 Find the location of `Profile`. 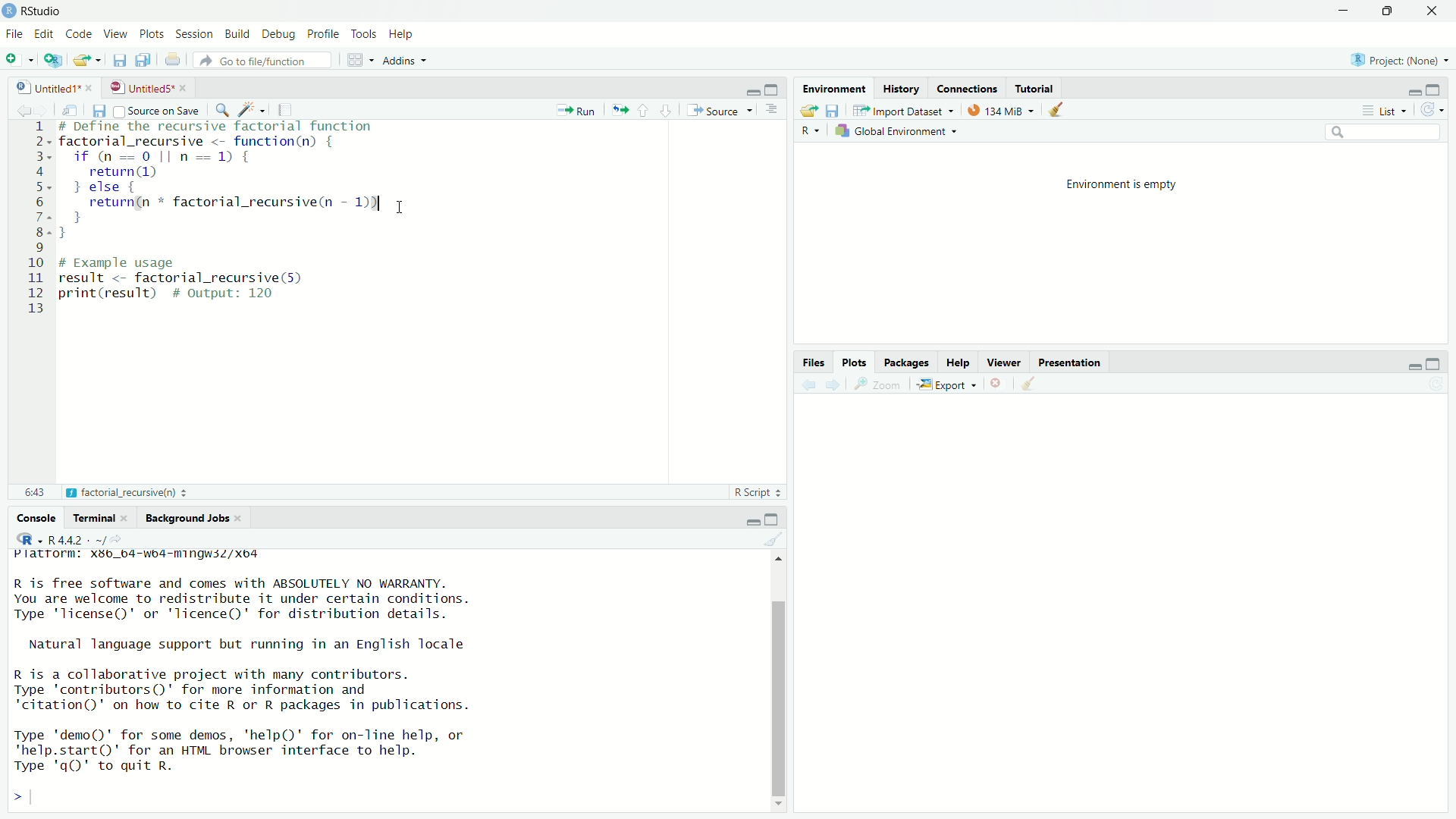

Profile is located at coordinates (321, 34).